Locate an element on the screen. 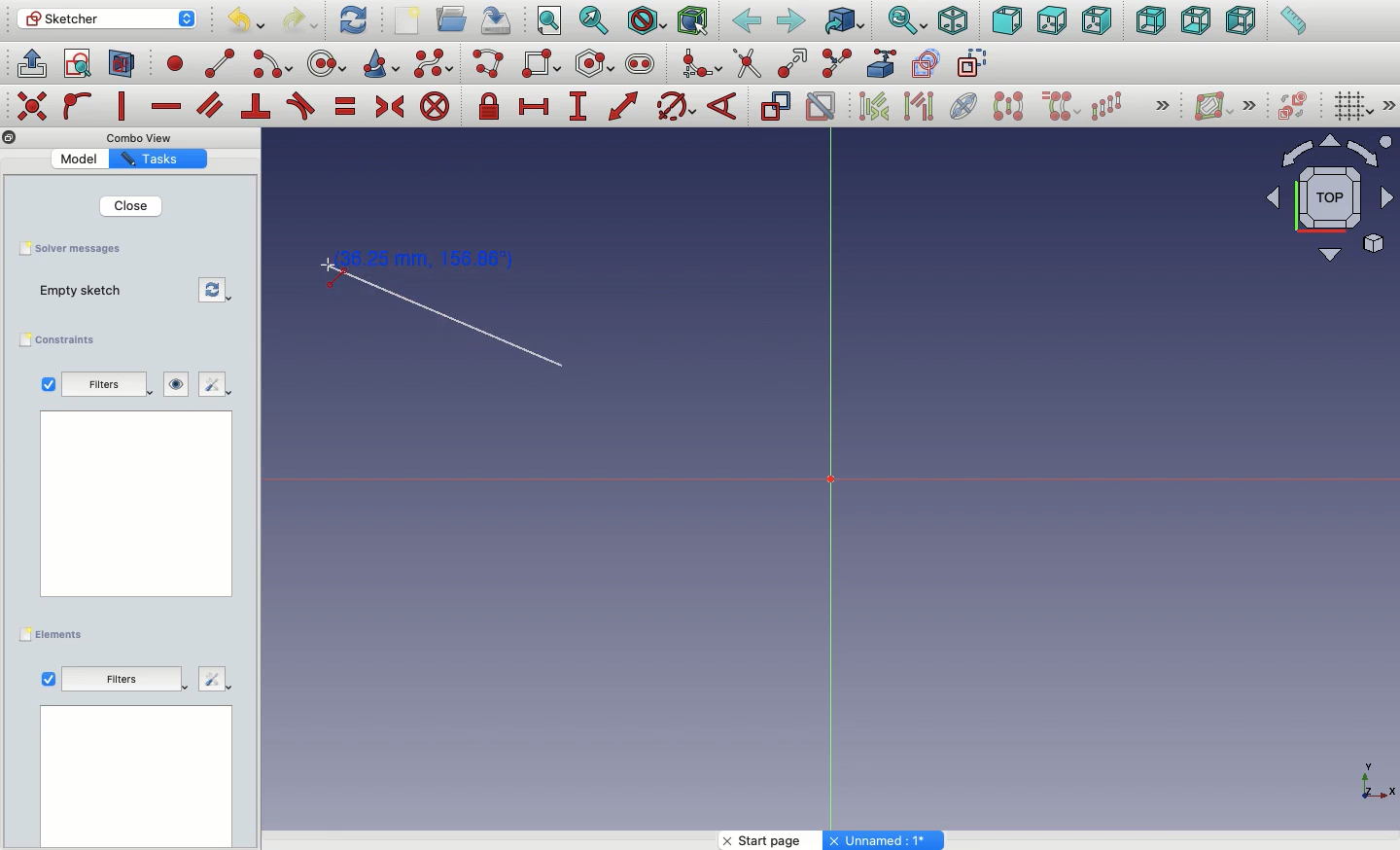 The width and height of the screenshot is (1400, 850). Constrain horizontally is located at coordinates (165, 108).